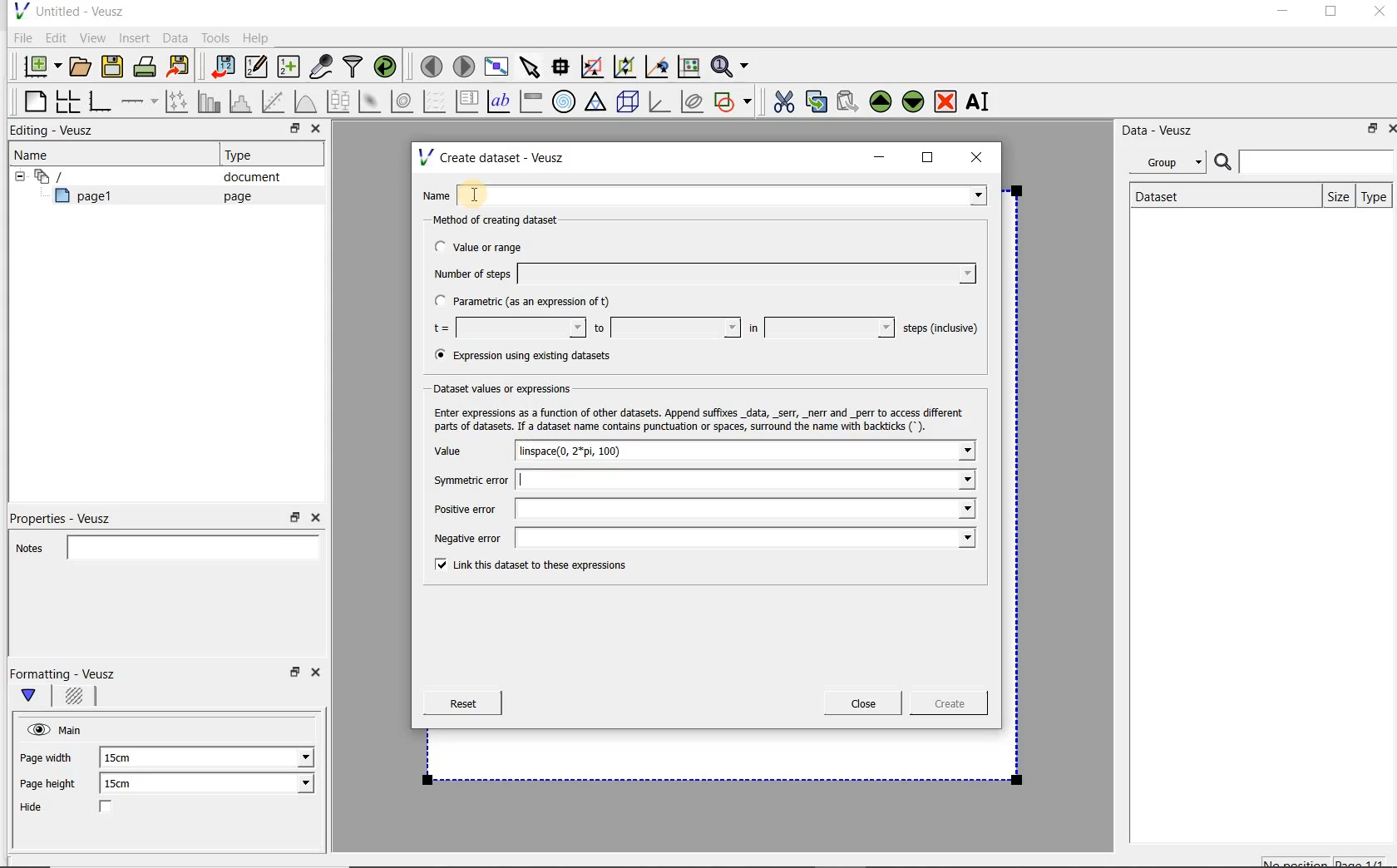 Image resolution: width=1397 pixels, height=868 pixels. I want to click on select items from the graph or scroll, so click(529, 65).